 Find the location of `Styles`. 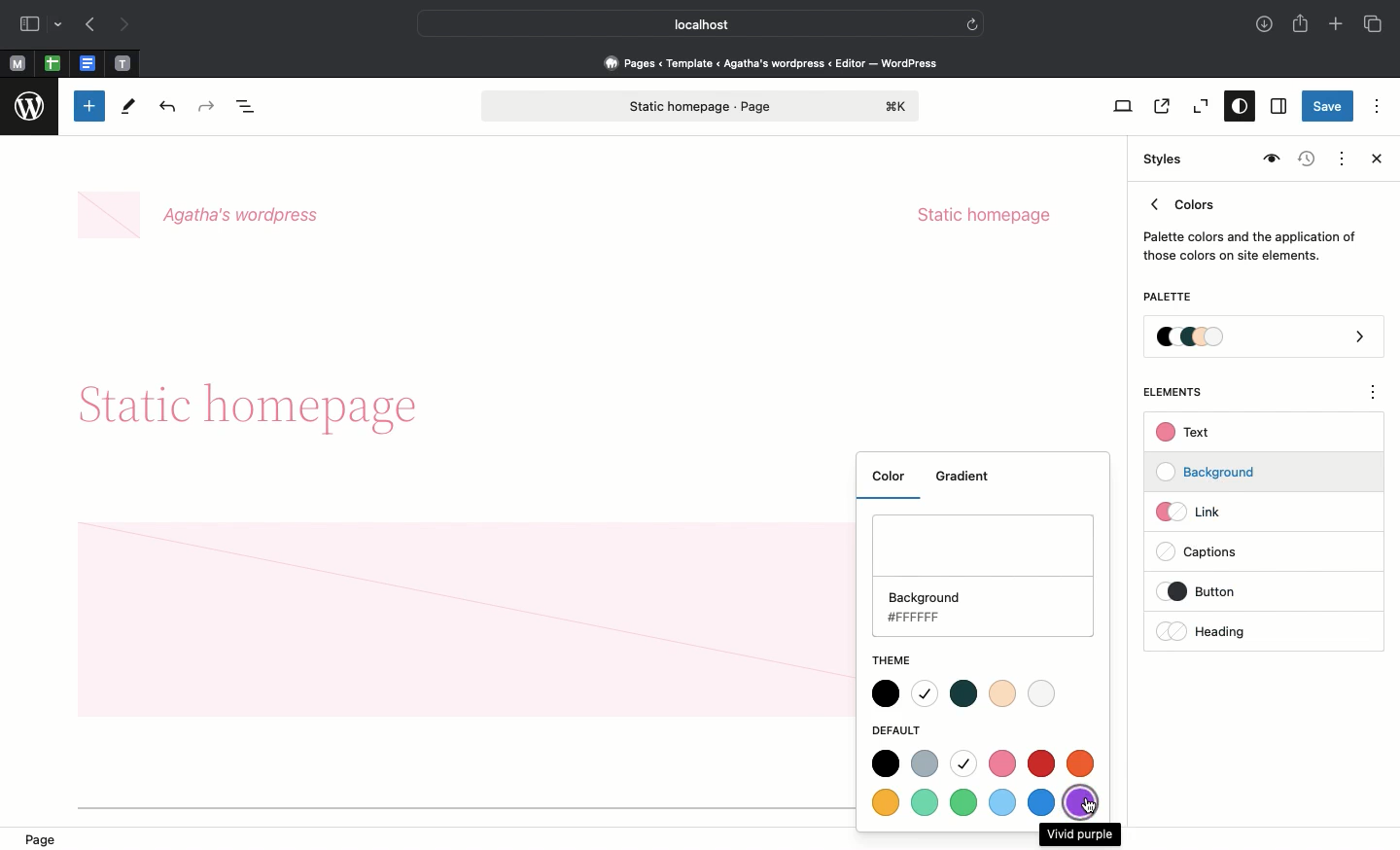

Styles is located at coordinates (1159, 159).